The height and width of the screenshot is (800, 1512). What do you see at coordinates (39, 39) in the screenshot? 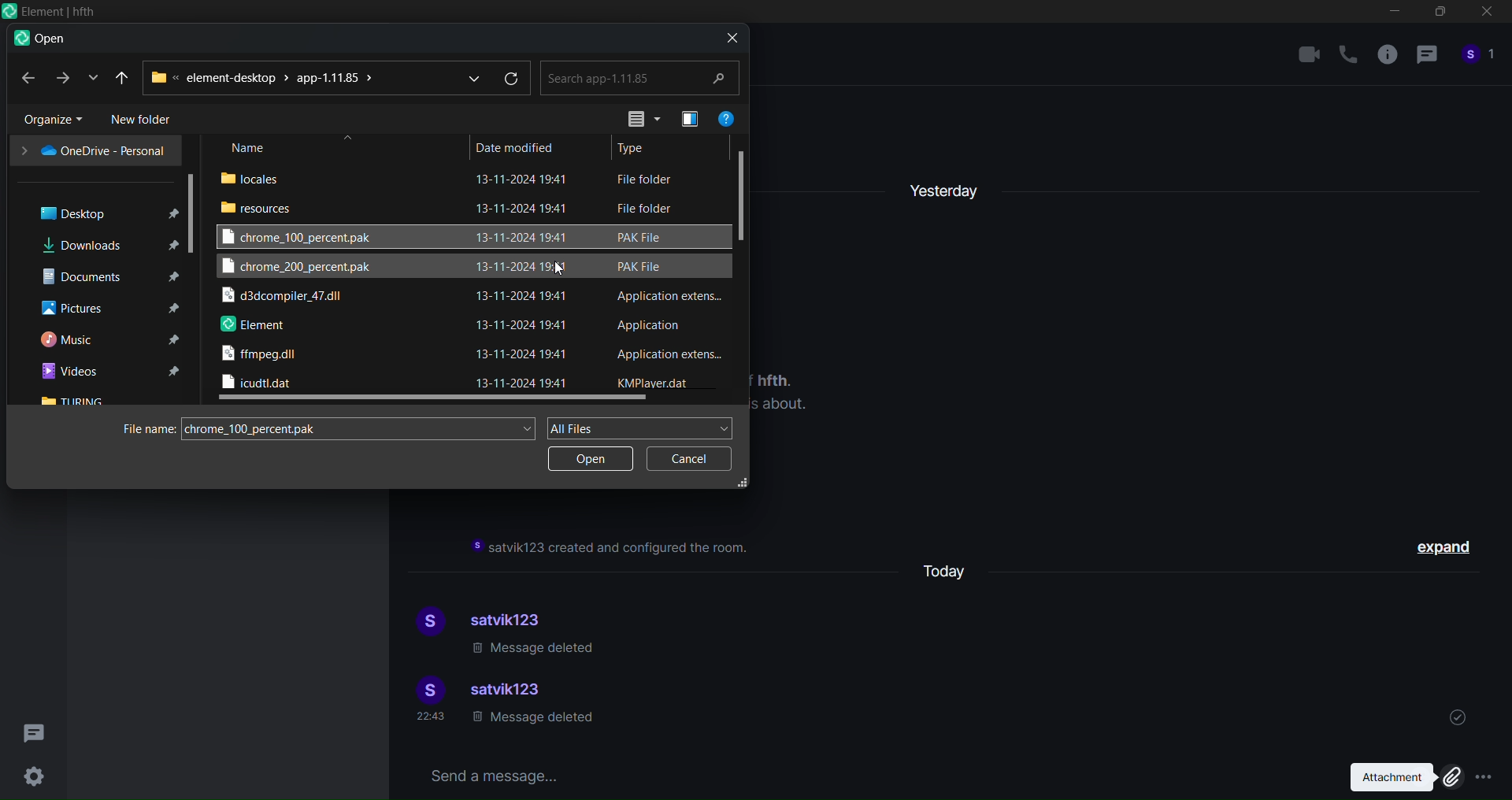
I see `open` at bounding box center [39, 39].